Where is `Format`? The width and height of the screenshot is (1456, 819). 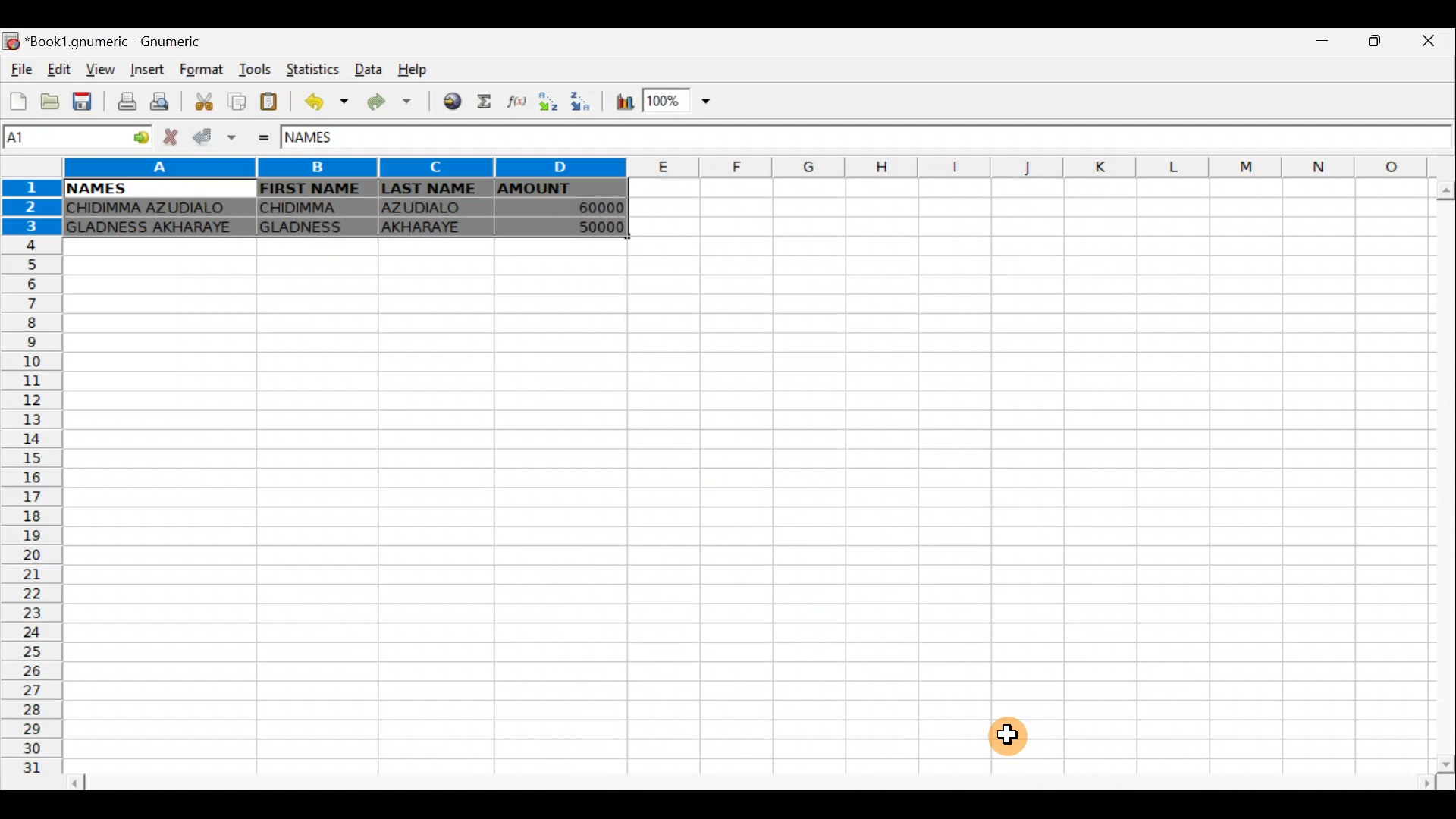
Format is located at coordinates (206, 71).